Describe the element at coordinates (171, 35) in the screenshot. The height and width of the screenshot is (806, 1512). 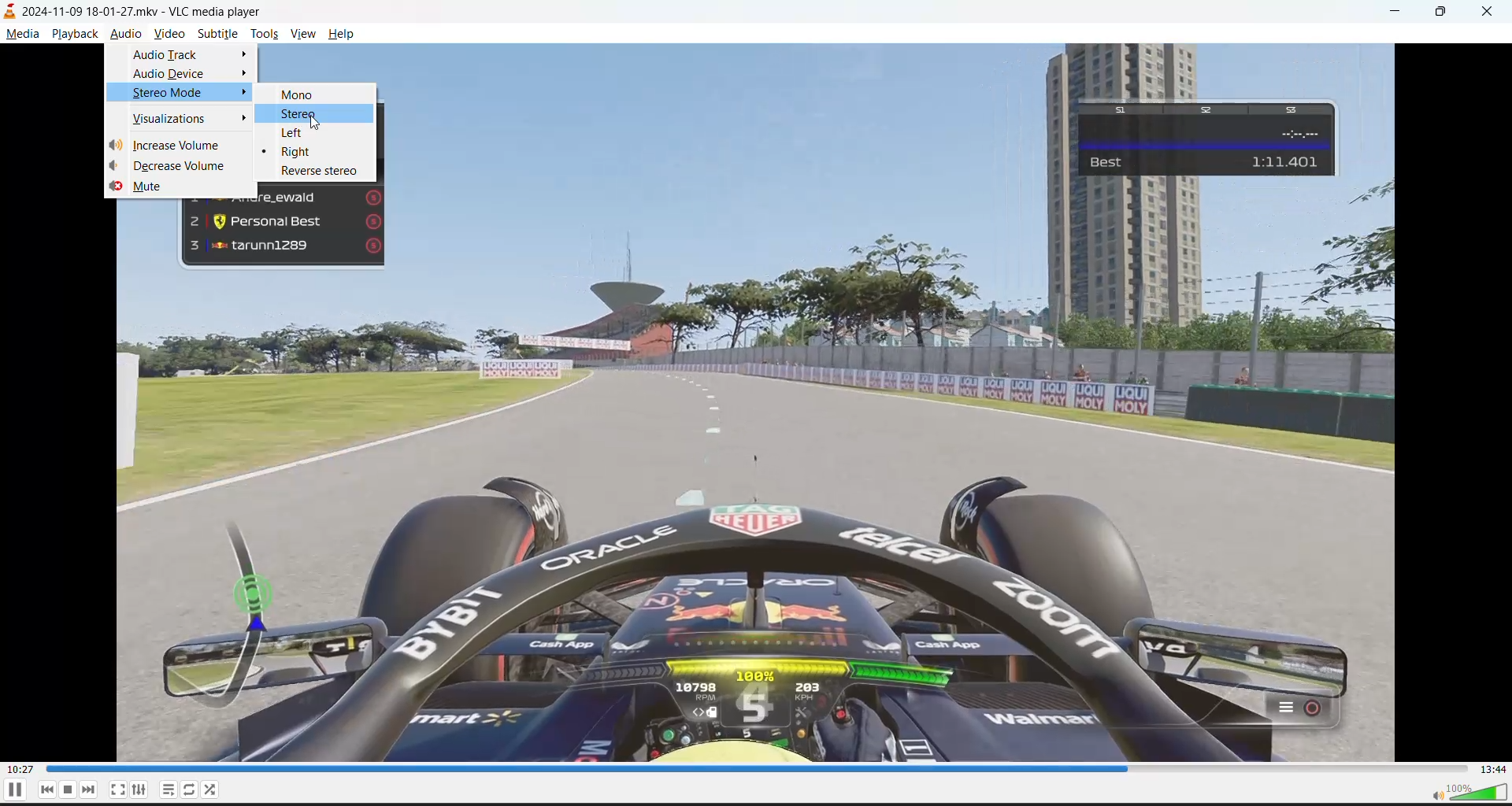
I see `video` at that location.